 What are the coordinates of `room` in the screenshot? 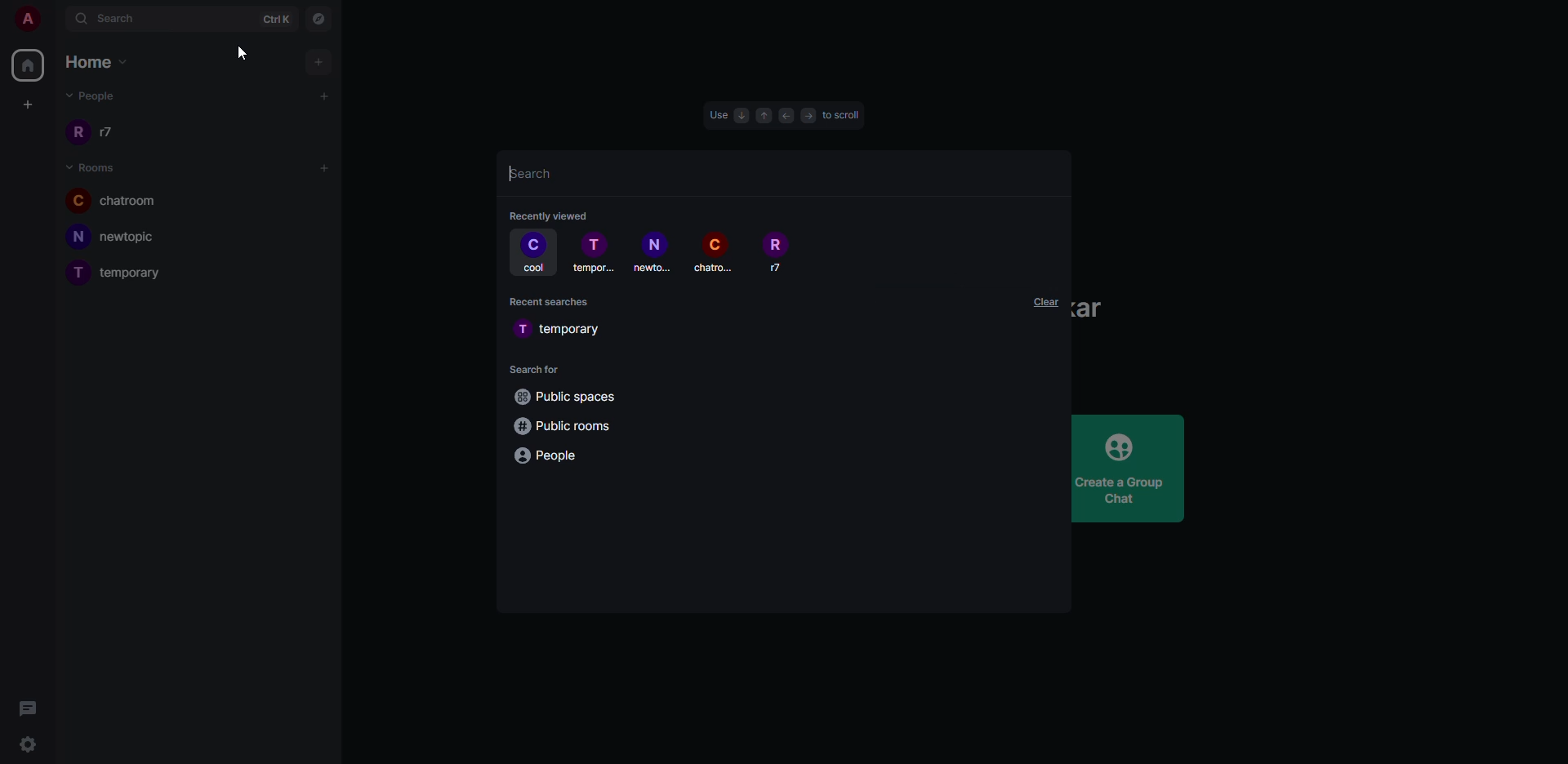 It's located at (715, 253).